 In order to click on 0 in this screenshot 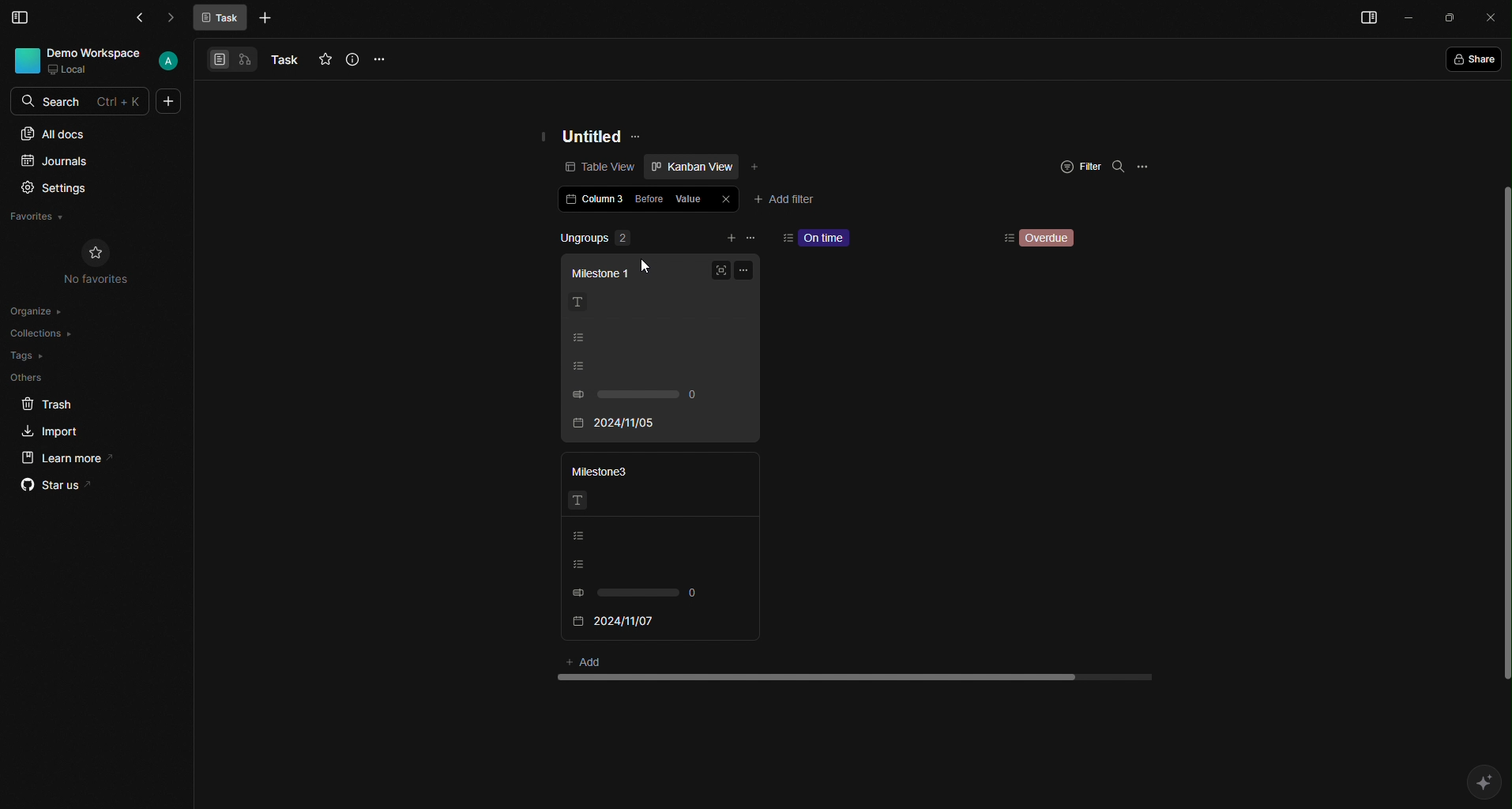, I will do `click(633, 397)`.